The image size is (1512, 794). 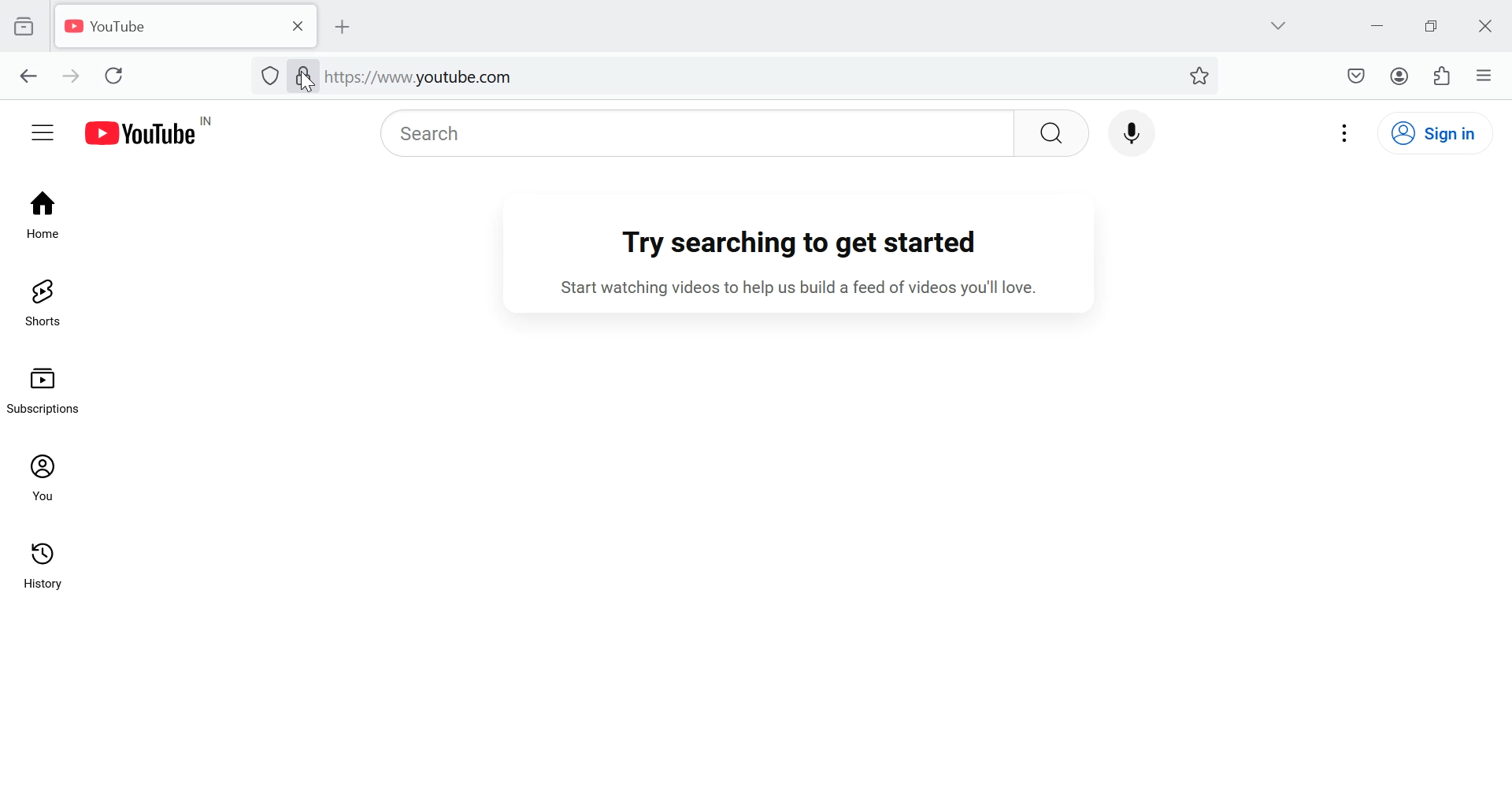 What do you see at coordinates (45, 573) in the screenshot?
I see `History` at bounding box center [45, 573].